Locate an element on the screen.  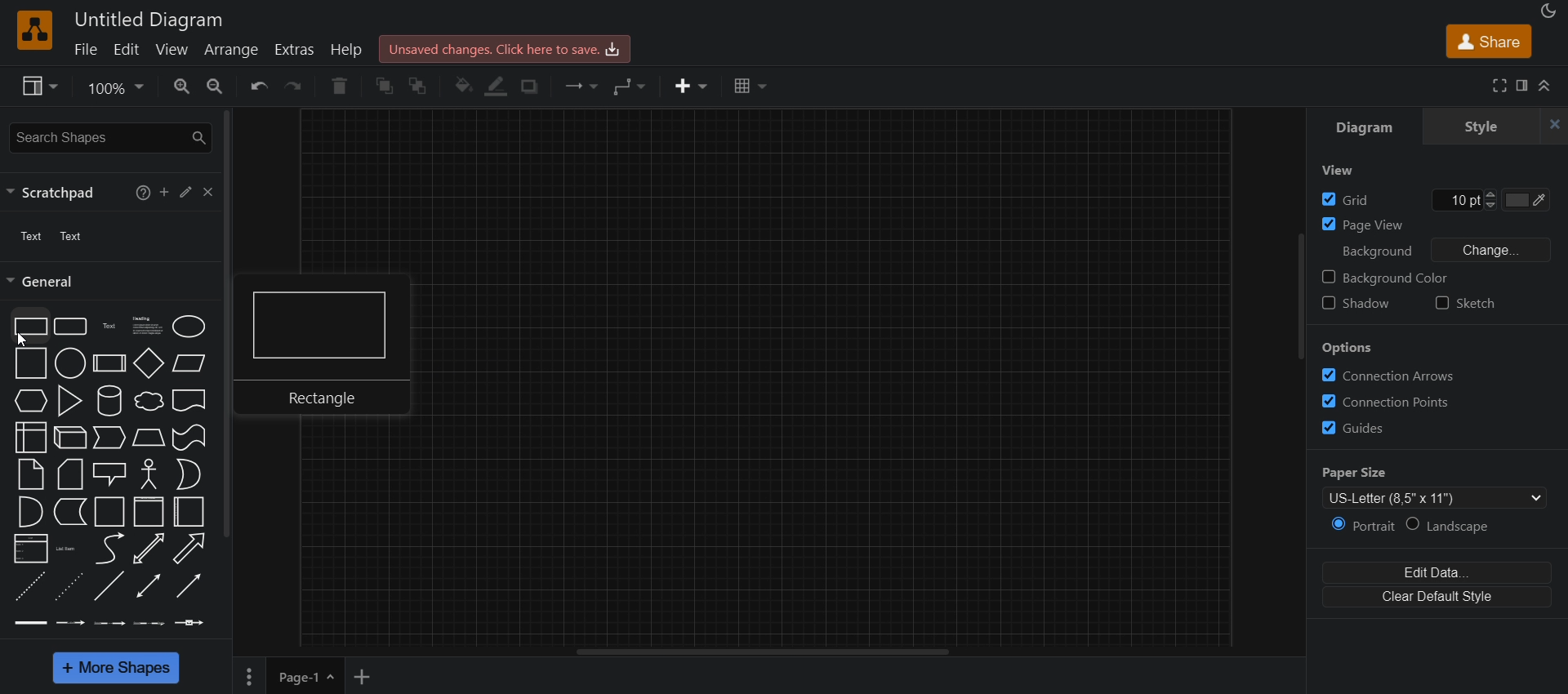
ellipse is located at coordinates (186, 327).